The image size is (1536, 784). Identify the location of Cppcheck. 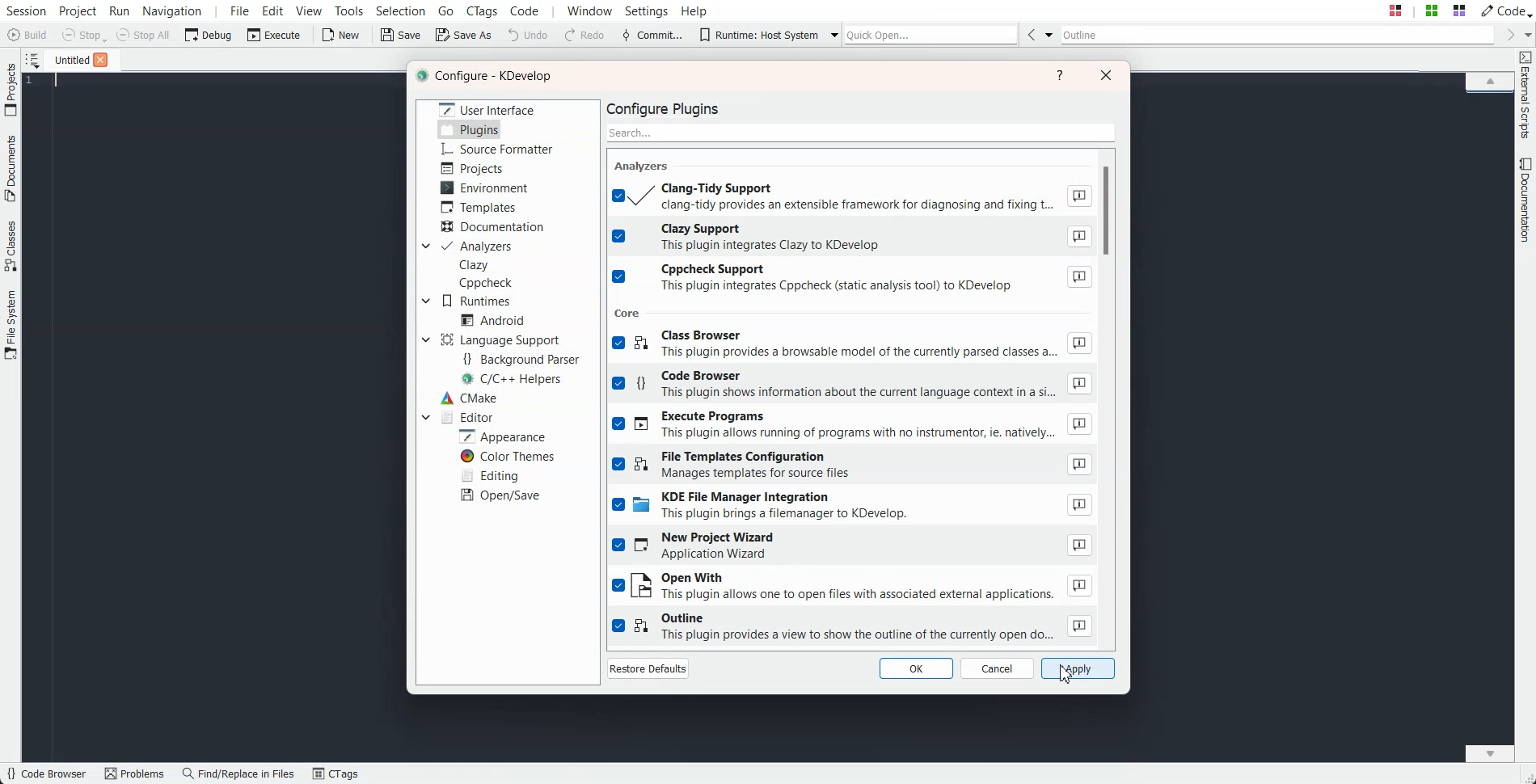
(488, 283).